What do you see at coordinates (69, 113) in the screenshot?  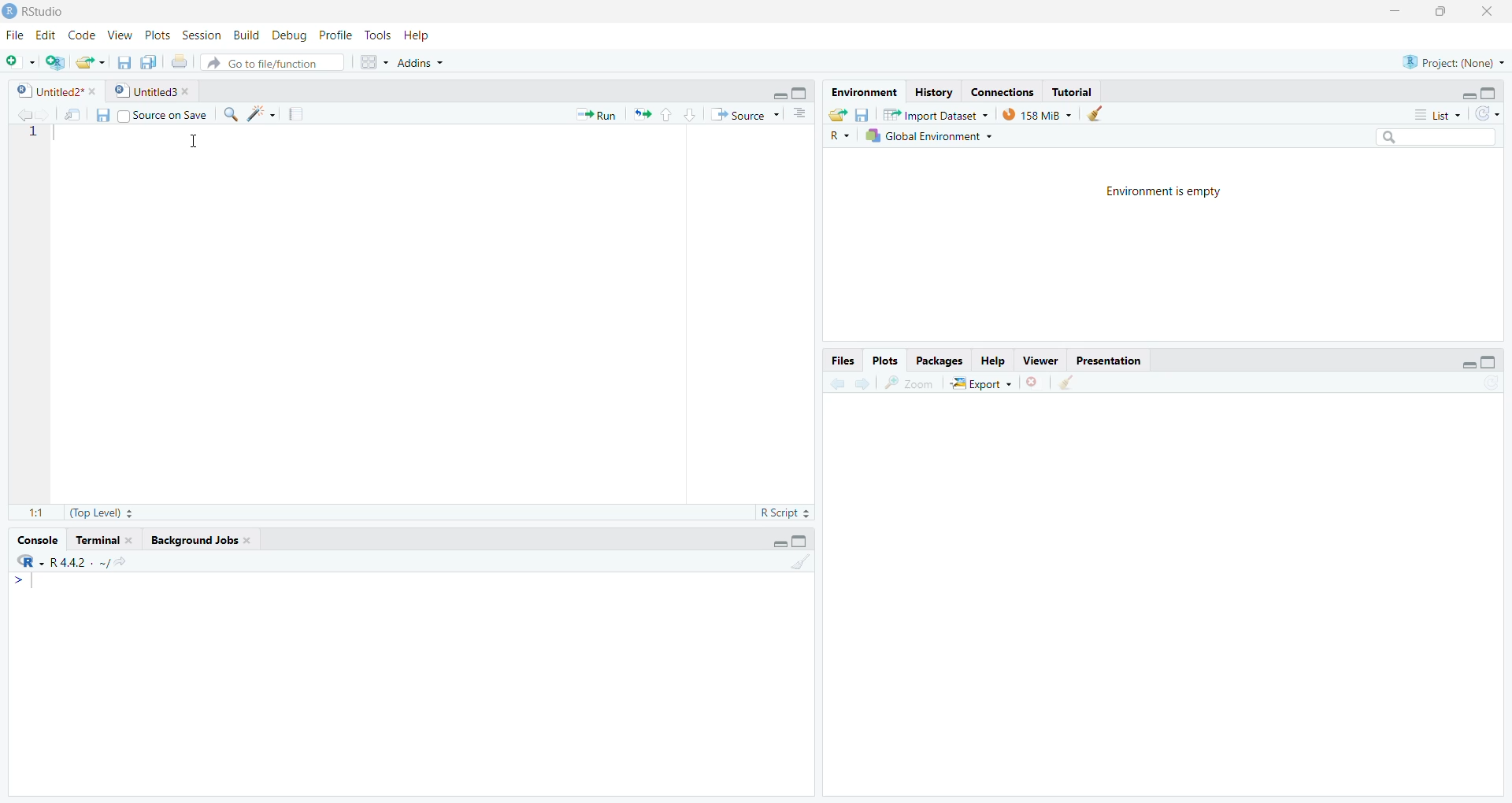 I see `Show in new window` at bounding box center [69, 113].